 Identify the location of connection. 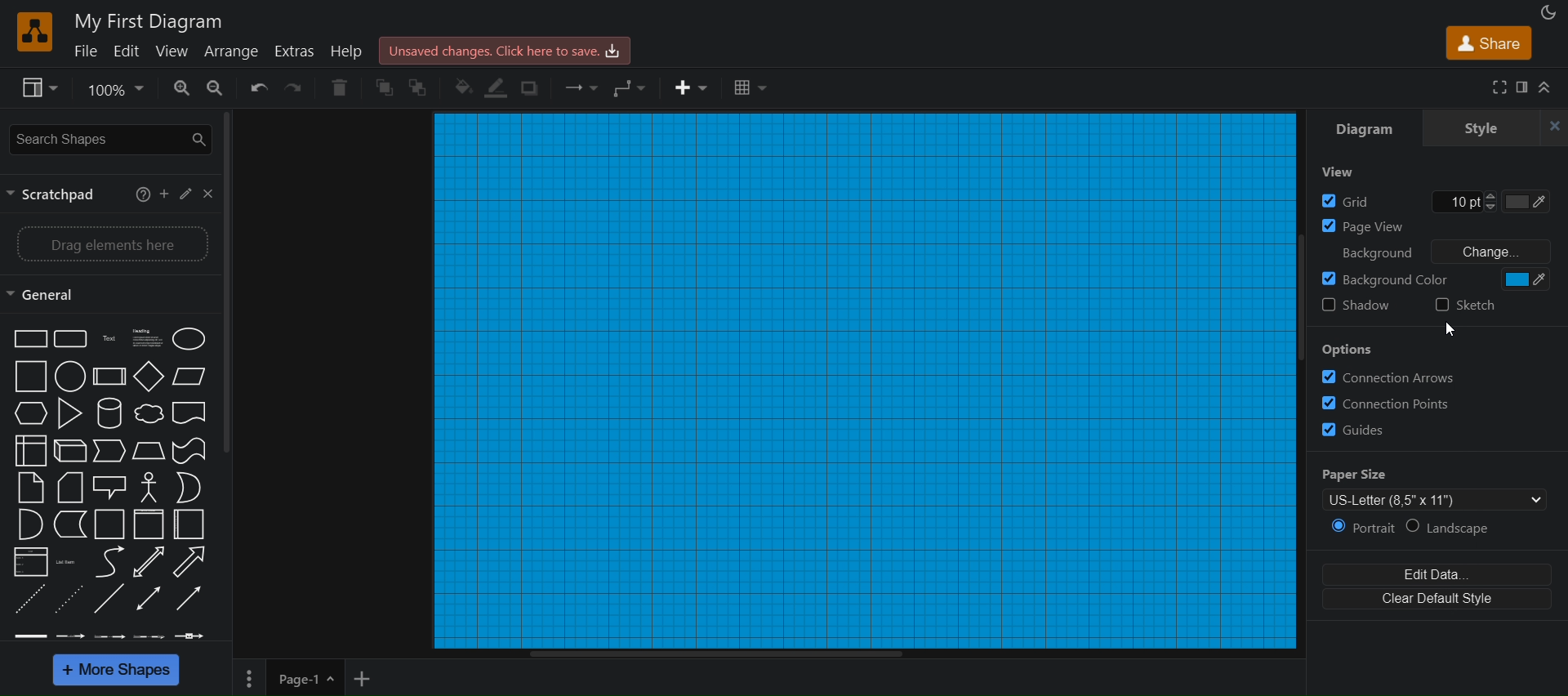
(581, 88).